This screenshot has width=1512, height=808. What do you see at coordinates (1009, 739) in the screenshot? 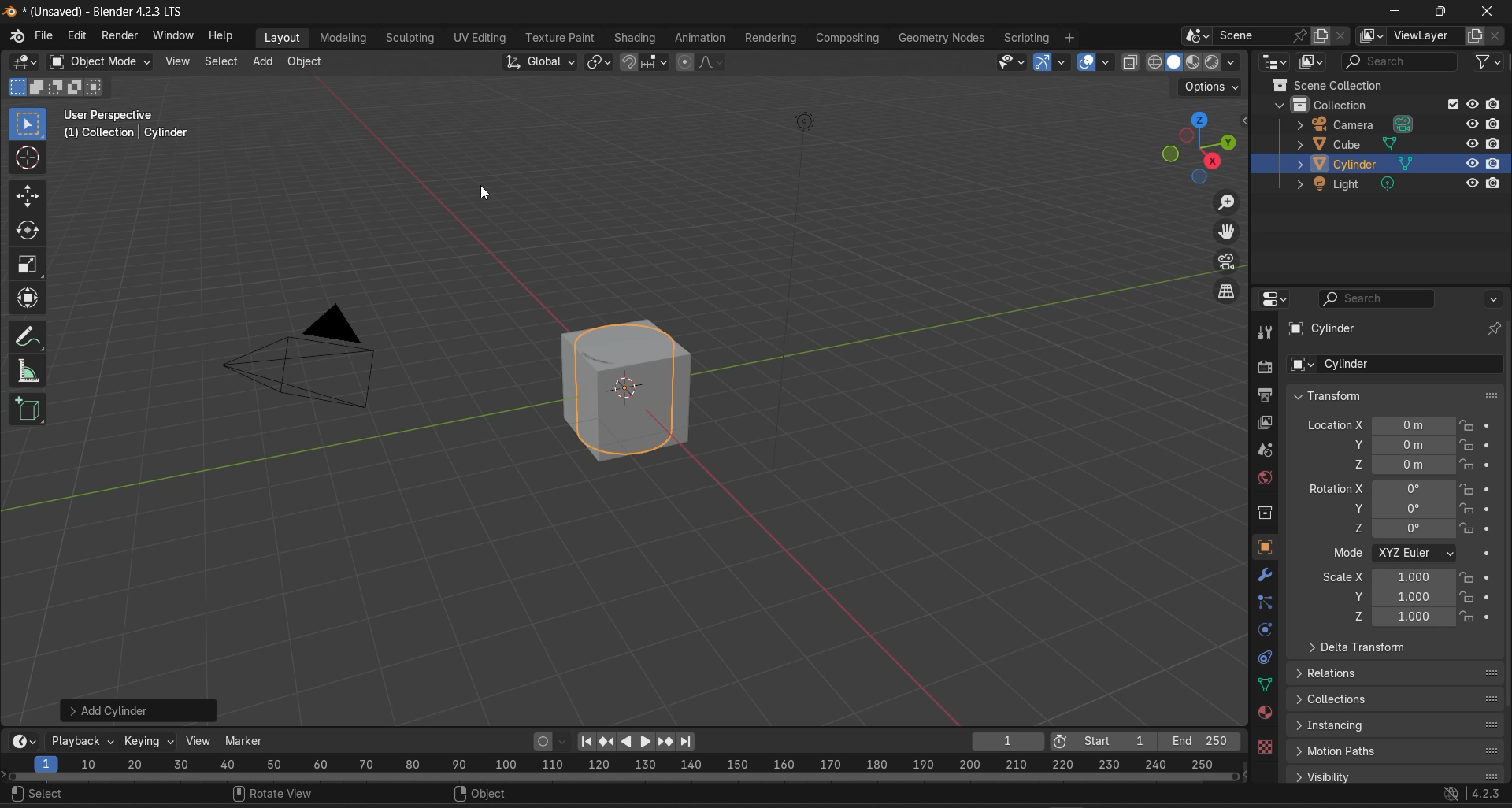
I see `current frame` at bounding box center [1009, 739].